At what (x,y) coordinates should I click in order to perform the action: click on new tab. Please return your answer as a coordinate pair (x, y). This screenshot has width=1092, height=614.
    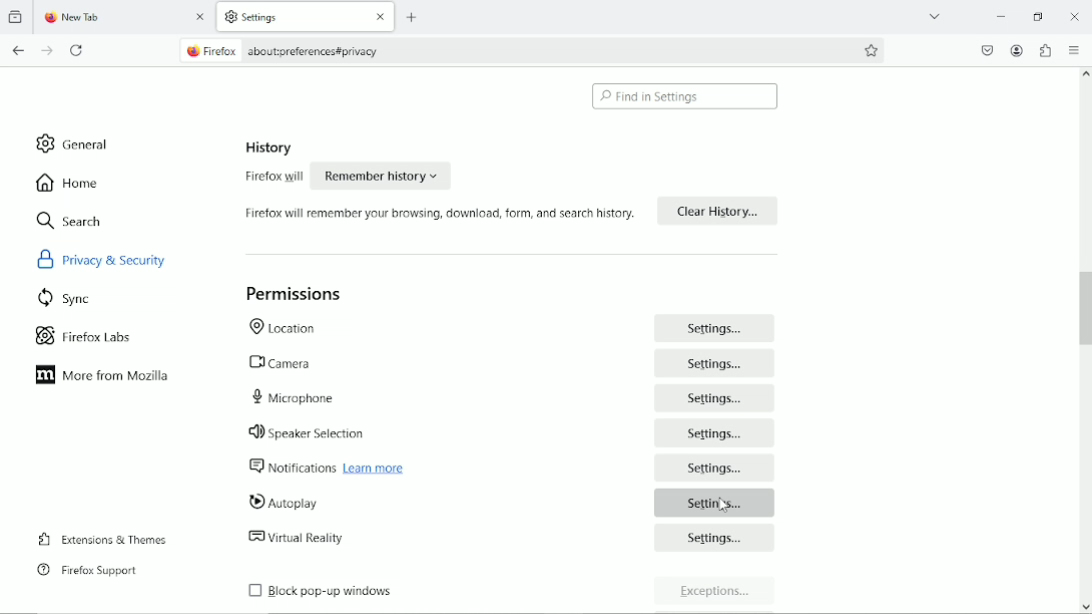
    Looking at the image, I should click on (97, 18).